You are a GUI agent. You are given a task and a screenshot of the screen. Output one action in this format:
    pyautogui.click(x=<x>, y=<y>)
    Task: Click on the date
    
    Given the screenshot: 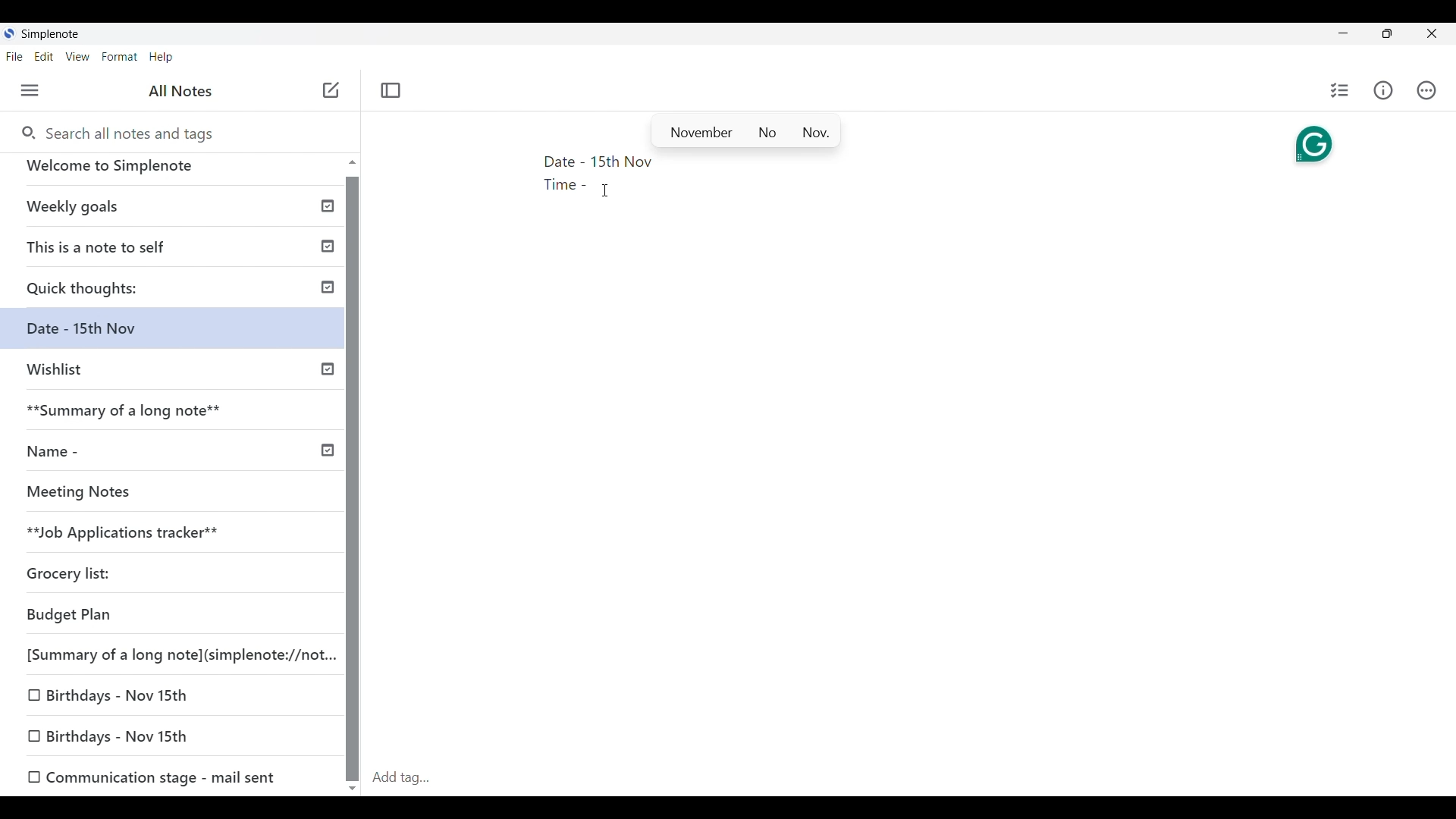 What is the action you would take?
    pyautogui.click(x=162, y=616)
    